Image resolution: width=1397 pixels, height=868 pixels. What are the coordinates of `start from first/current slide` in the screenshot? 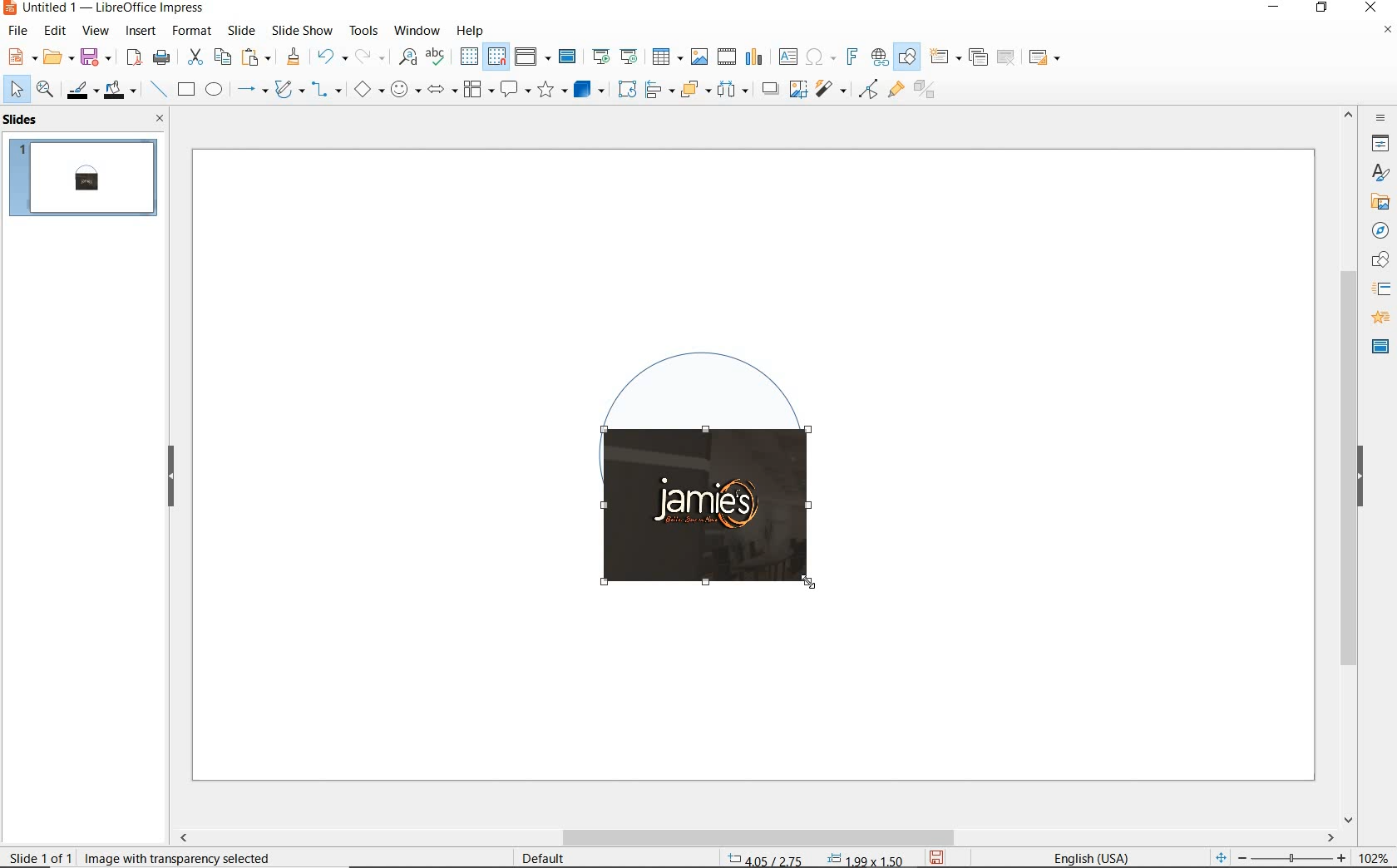 It's located at (615, 55).